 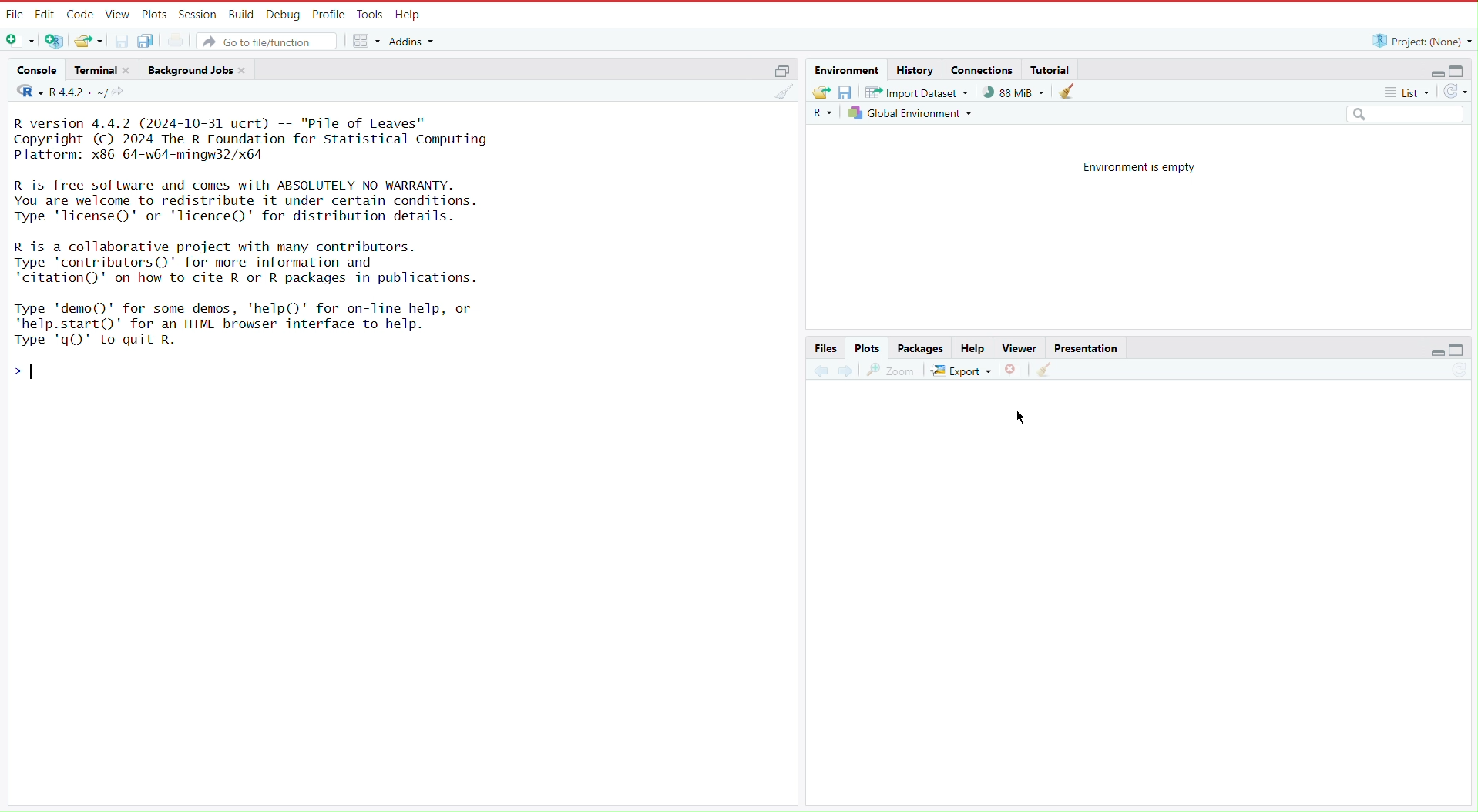 What do you see at coordinates (827, 347) in the screenshot?
I see `Files` at bounding box center [827, 347].